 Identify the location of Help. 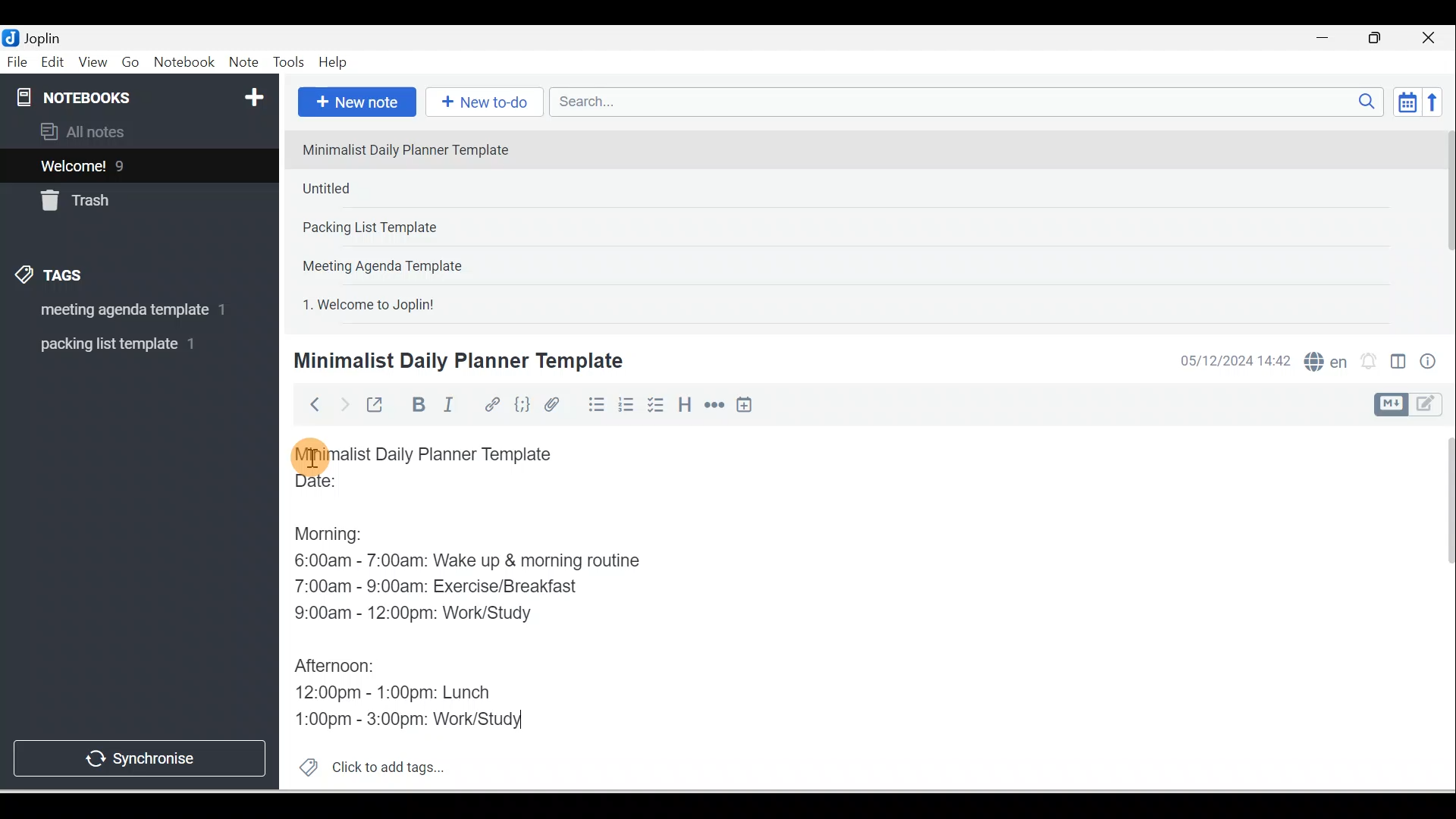
(334, 63).